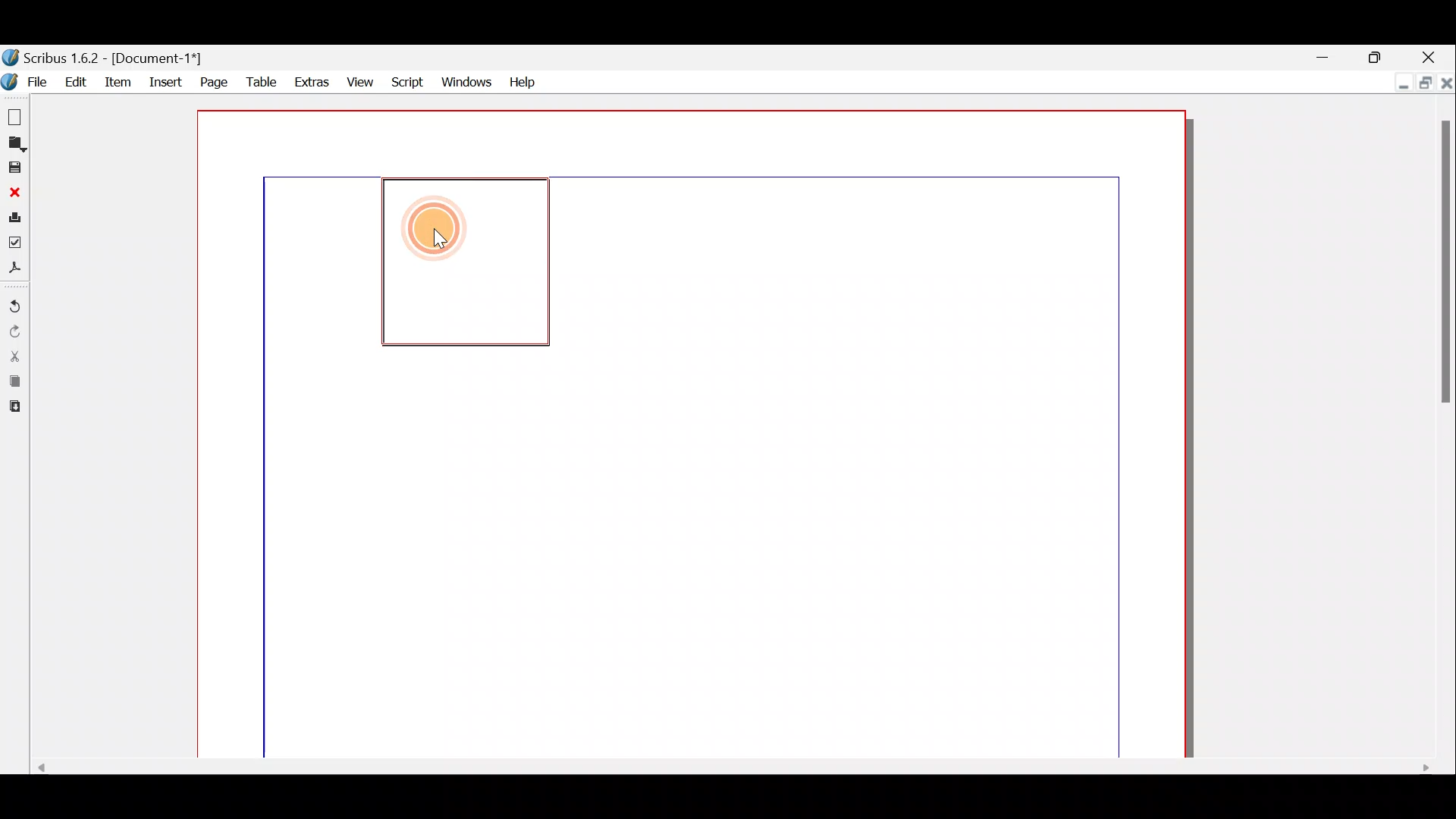 This screenshot has height=819, width=1456. I want to click on curosr, so click(444, 240).